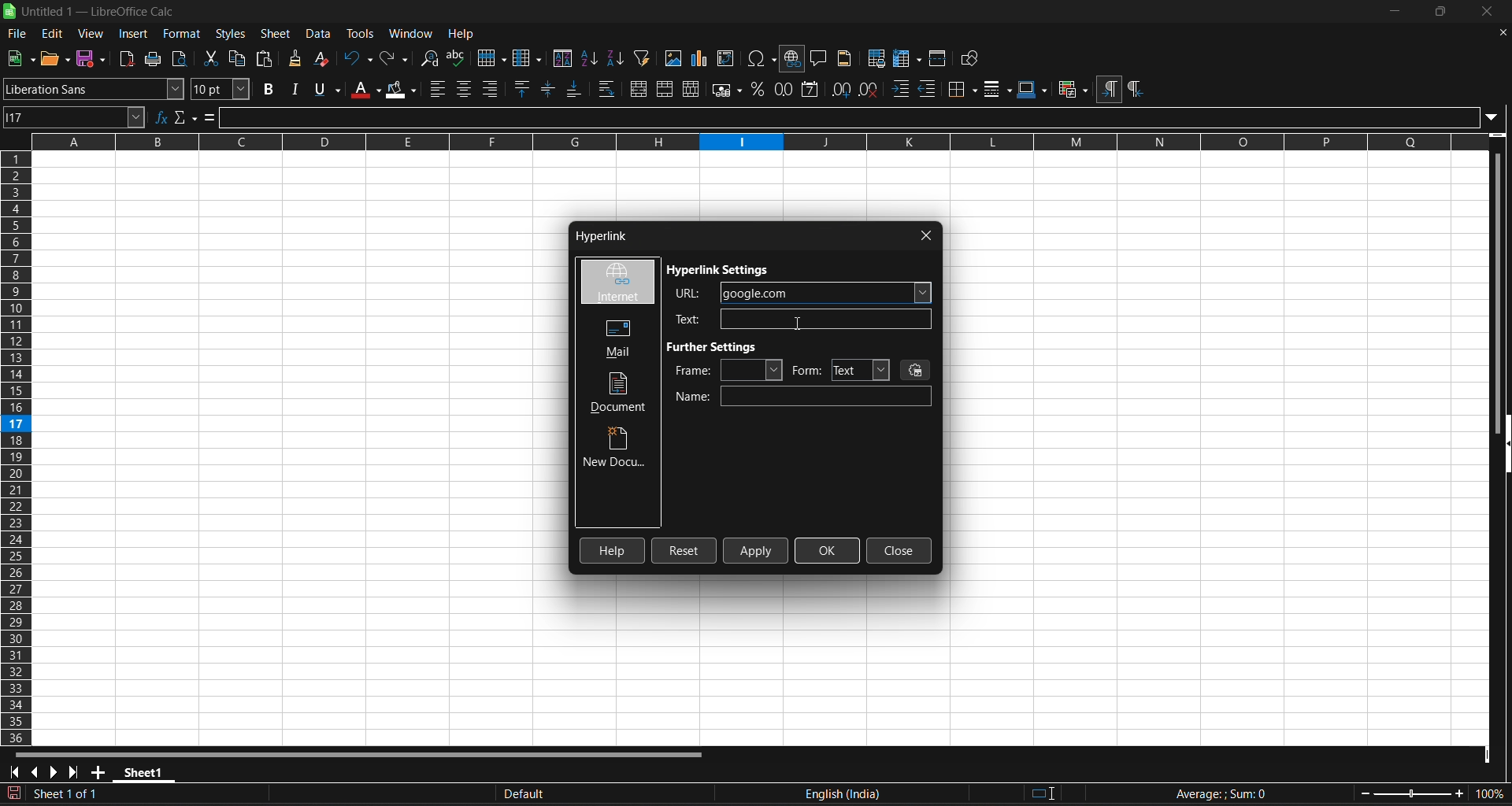 The image size is (1512, 806). Describe the element at coordinates (757, 90) in the screenshot. I see `format as percent` at that location.